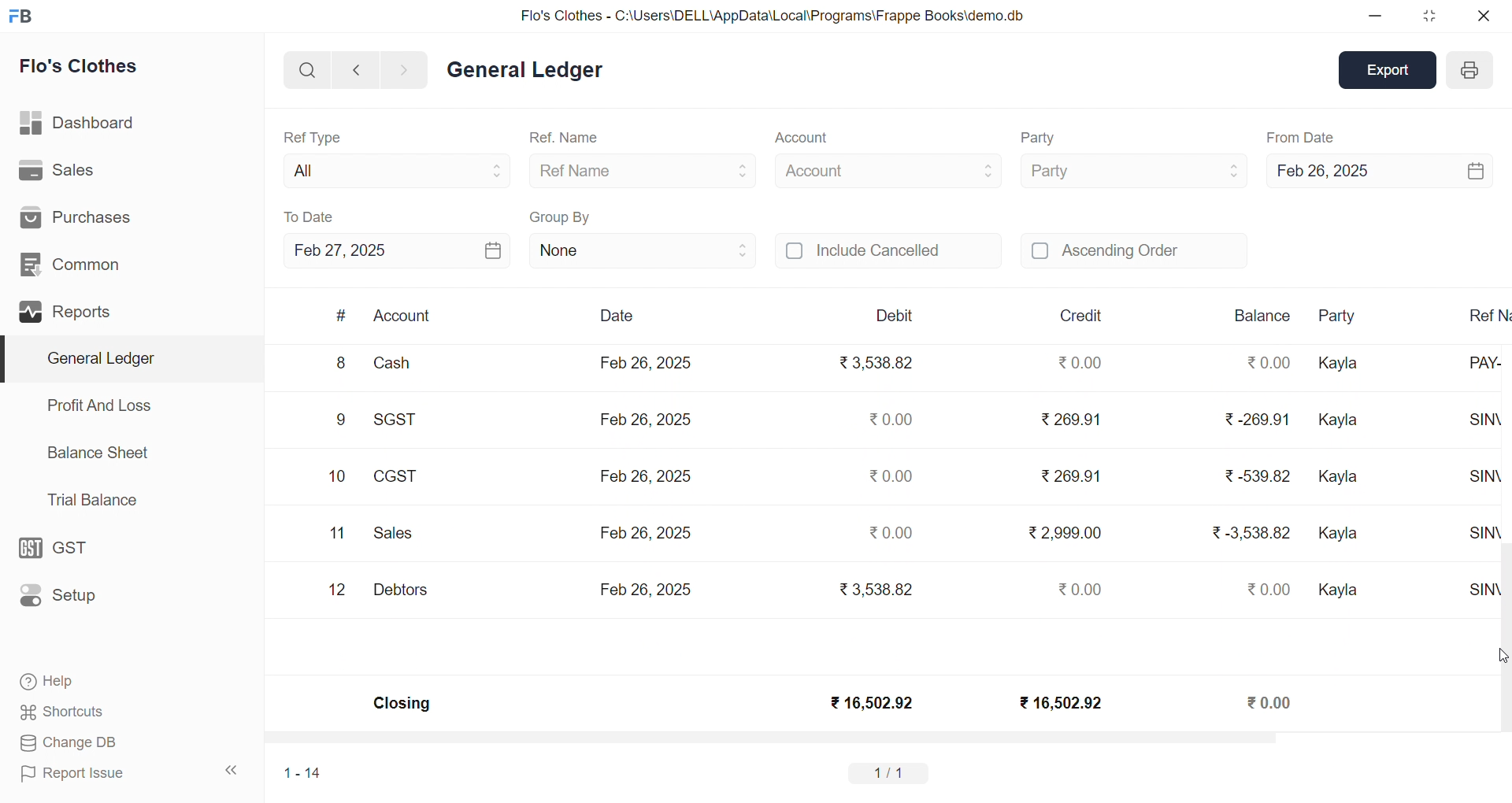 The image size is (1512, 803). I want to click on Feb 26, 2025, so click(643, 531).